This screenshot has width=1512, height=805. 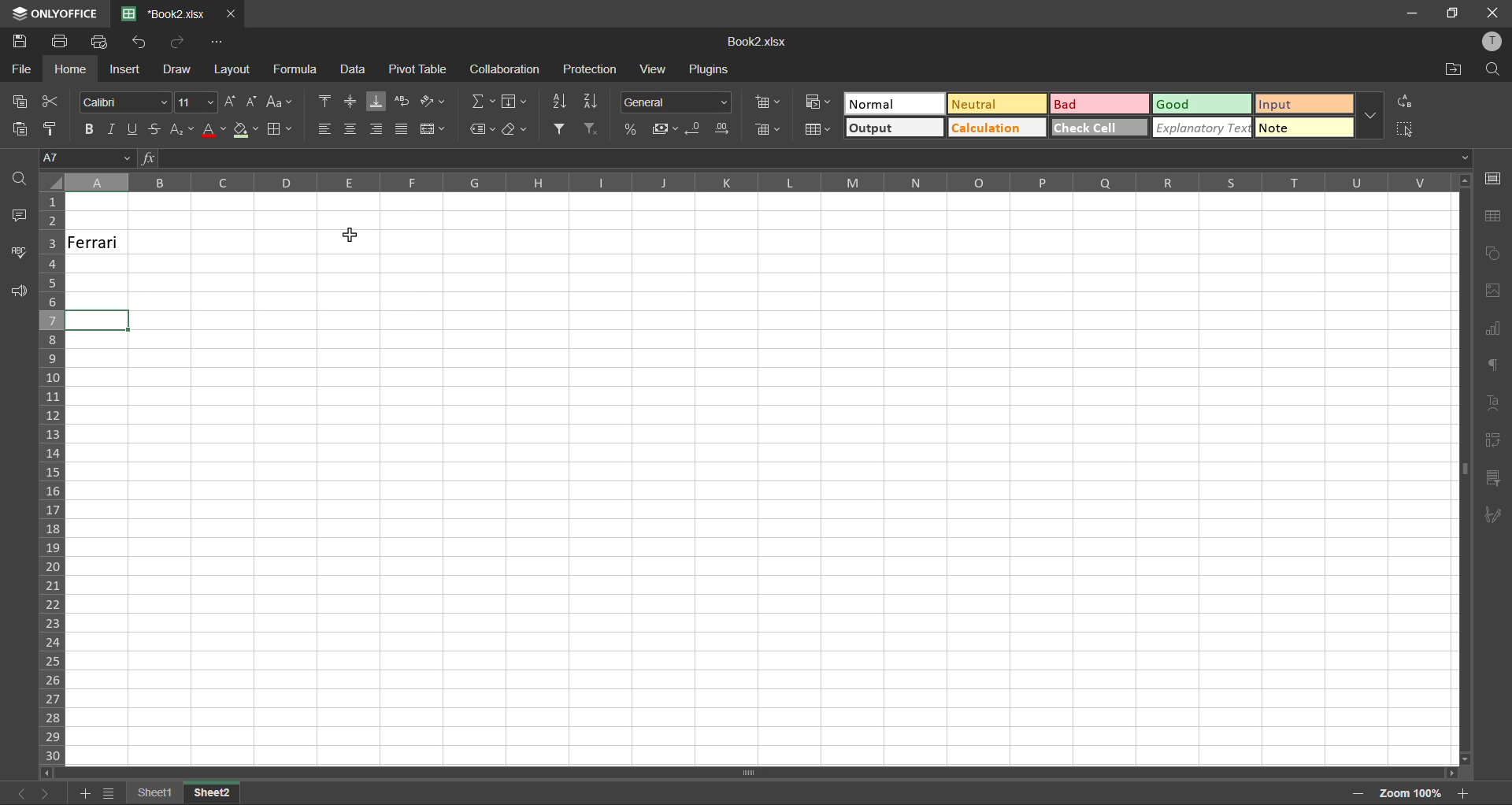 What do you see at coordinates (72, 71) in the screenshot?
I see `home` at bounding box center [72, 71].